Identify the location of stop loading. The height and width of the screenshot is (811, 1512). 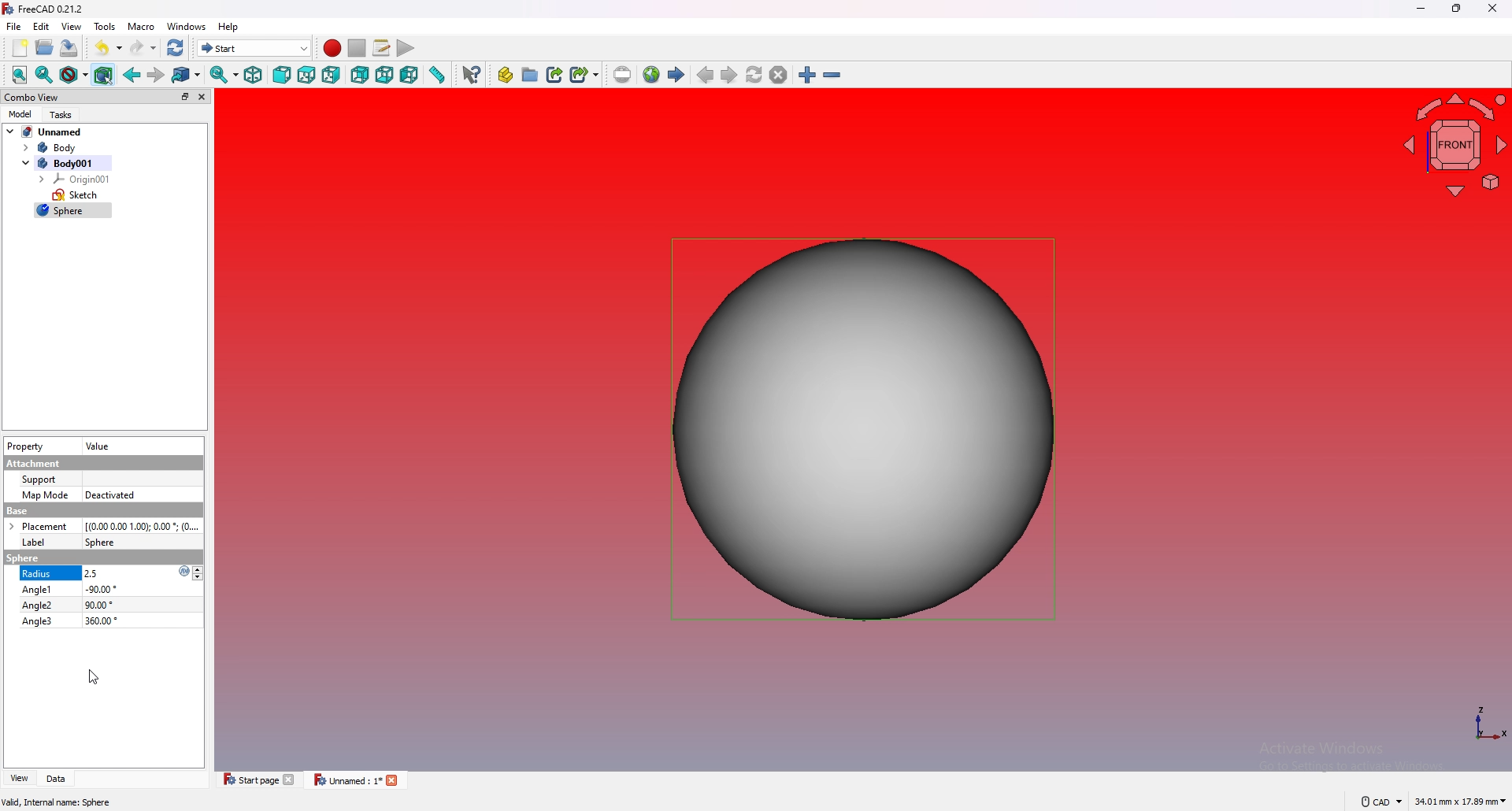
(778, 74).